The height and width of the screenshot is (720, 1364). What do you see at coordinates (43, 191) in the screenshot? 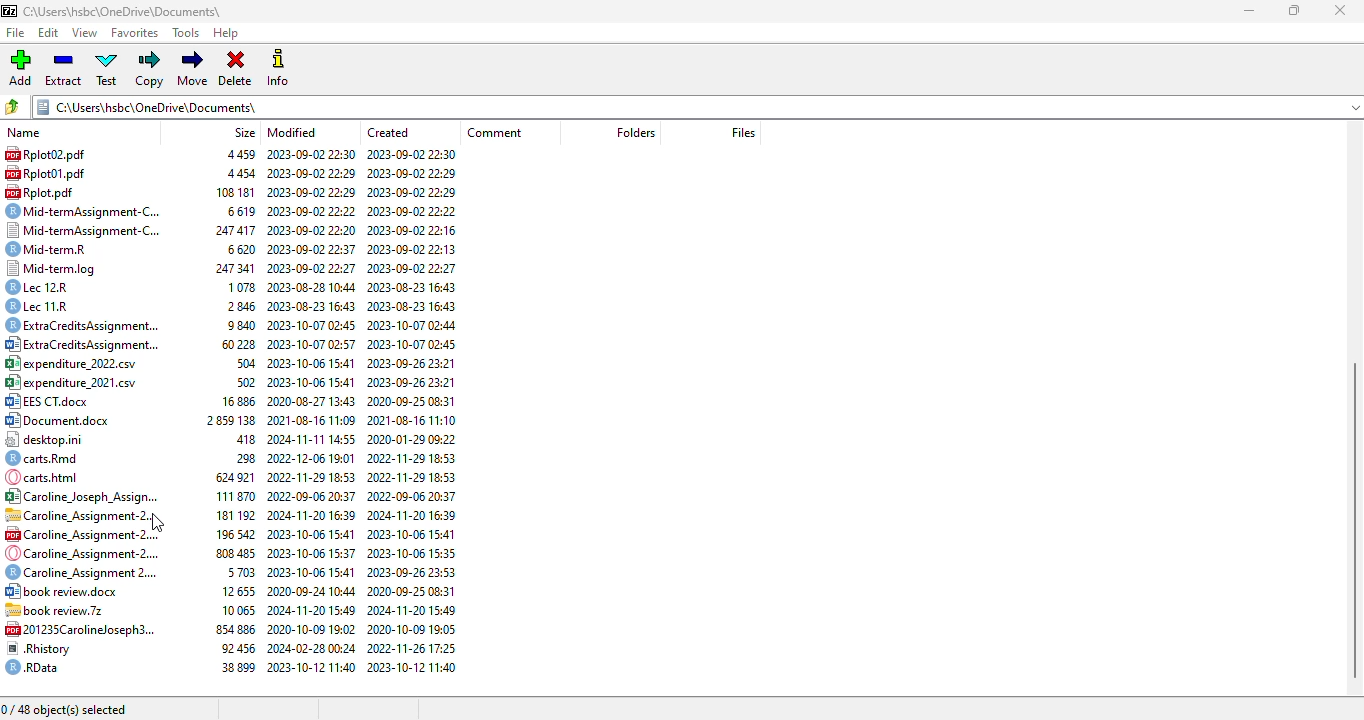
I see ` Rplot.pdf` at bounding box center [43, 191].